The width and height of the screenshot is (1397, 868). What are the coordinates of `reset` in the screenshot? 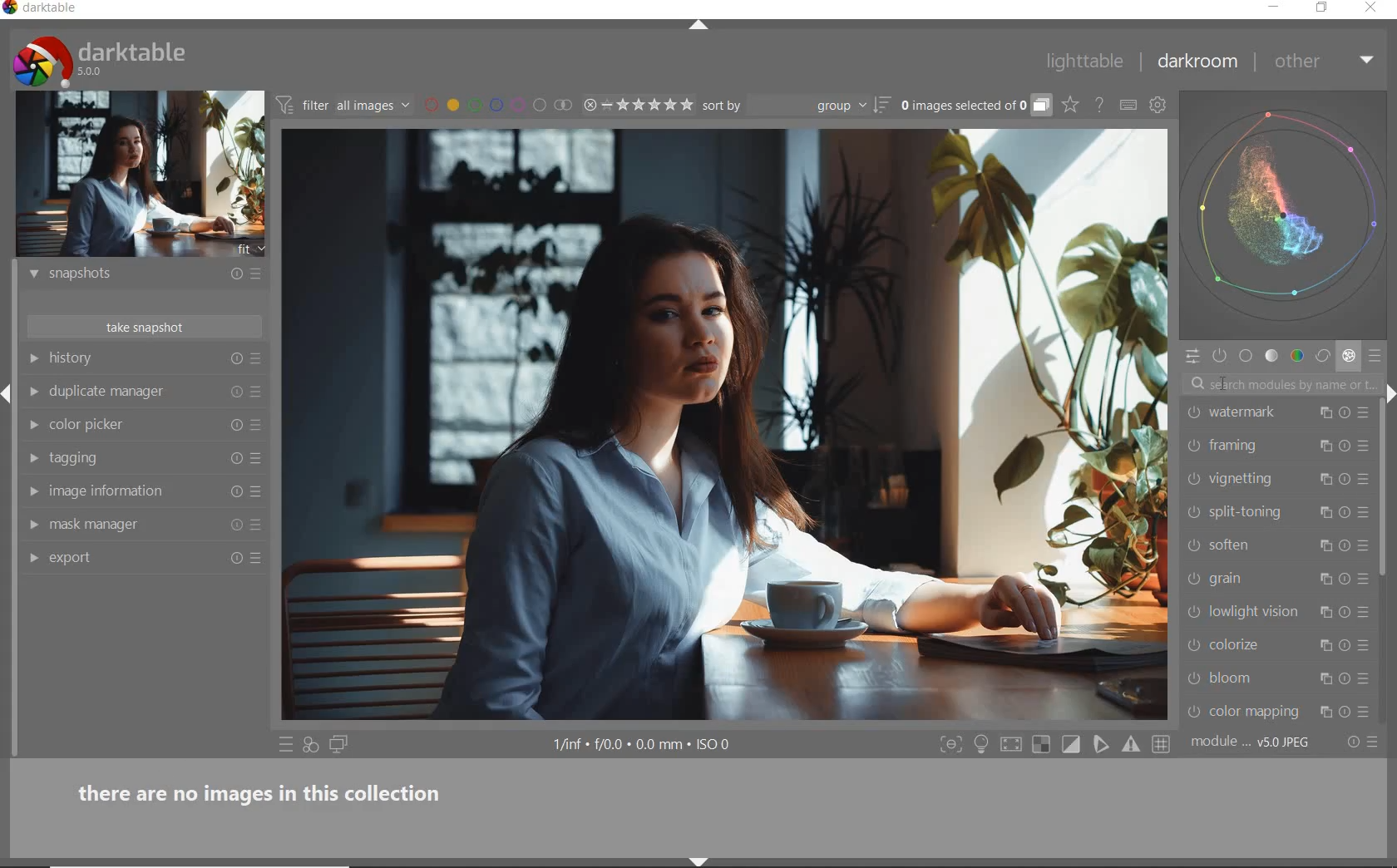 It's located at (1345, 579).